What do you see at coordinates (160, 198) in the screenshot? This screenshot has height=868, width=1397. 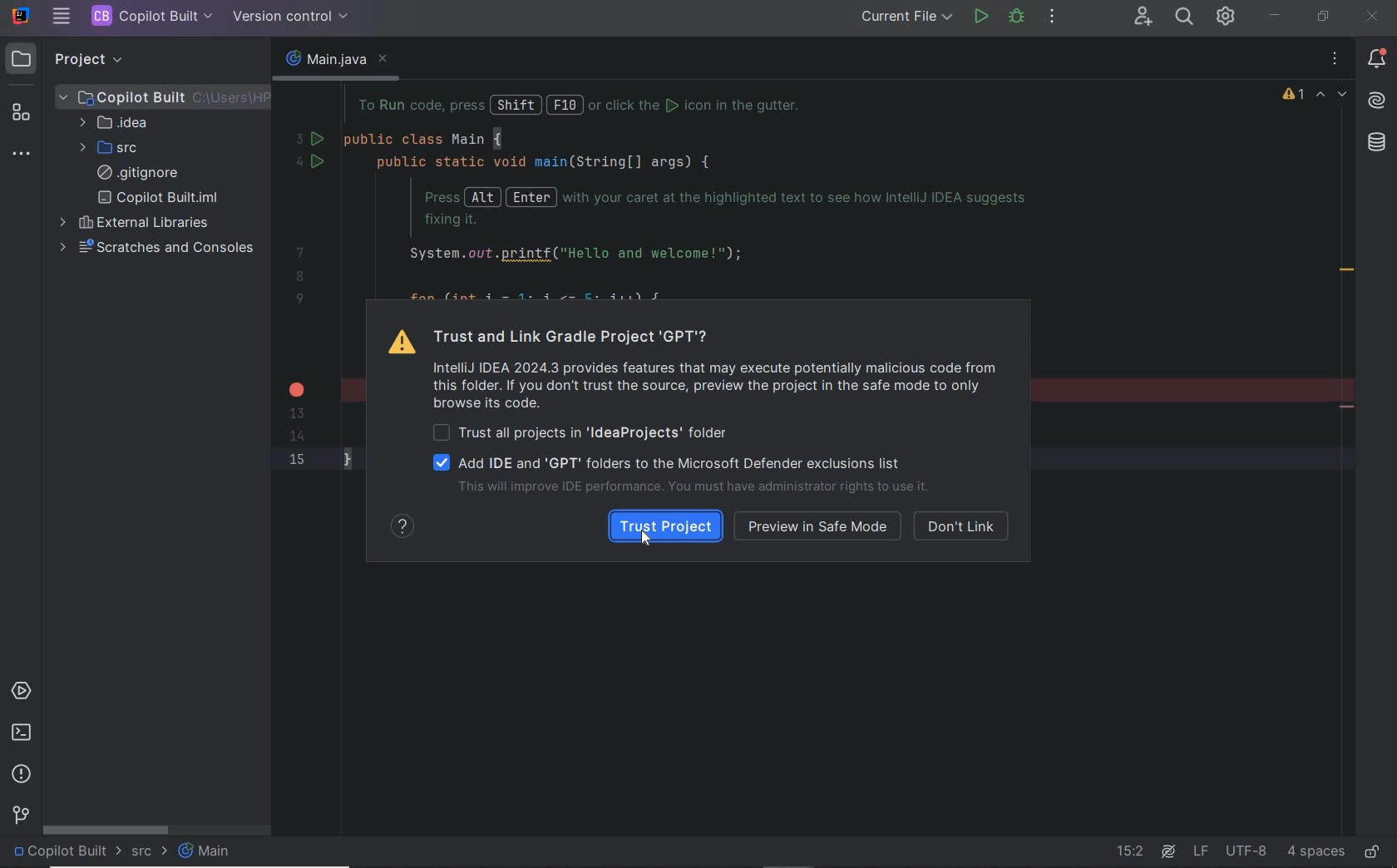 I see `copilot built.iml` at bounding box center [160, 198].